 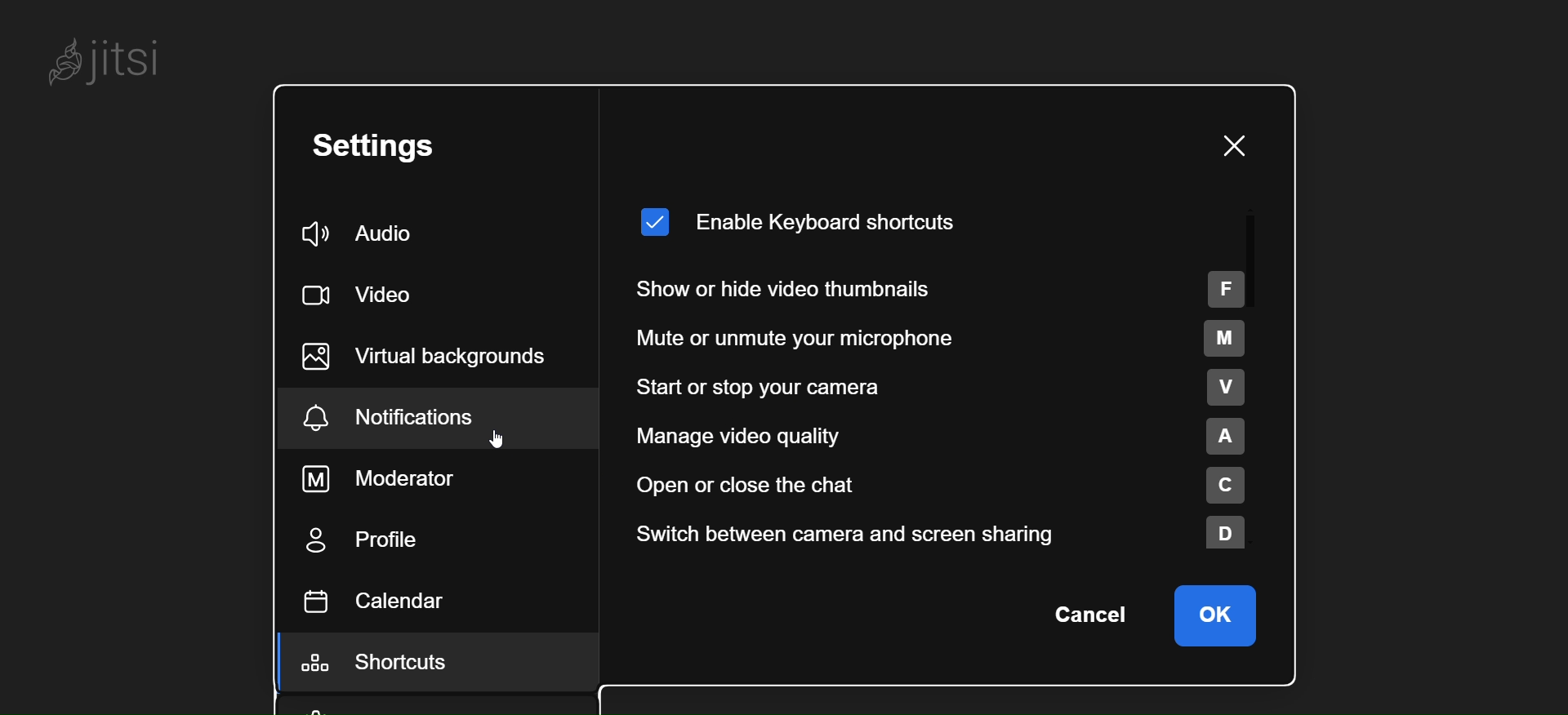 I want to click on show or hide video thumbnail, so click(x=939, y=286).